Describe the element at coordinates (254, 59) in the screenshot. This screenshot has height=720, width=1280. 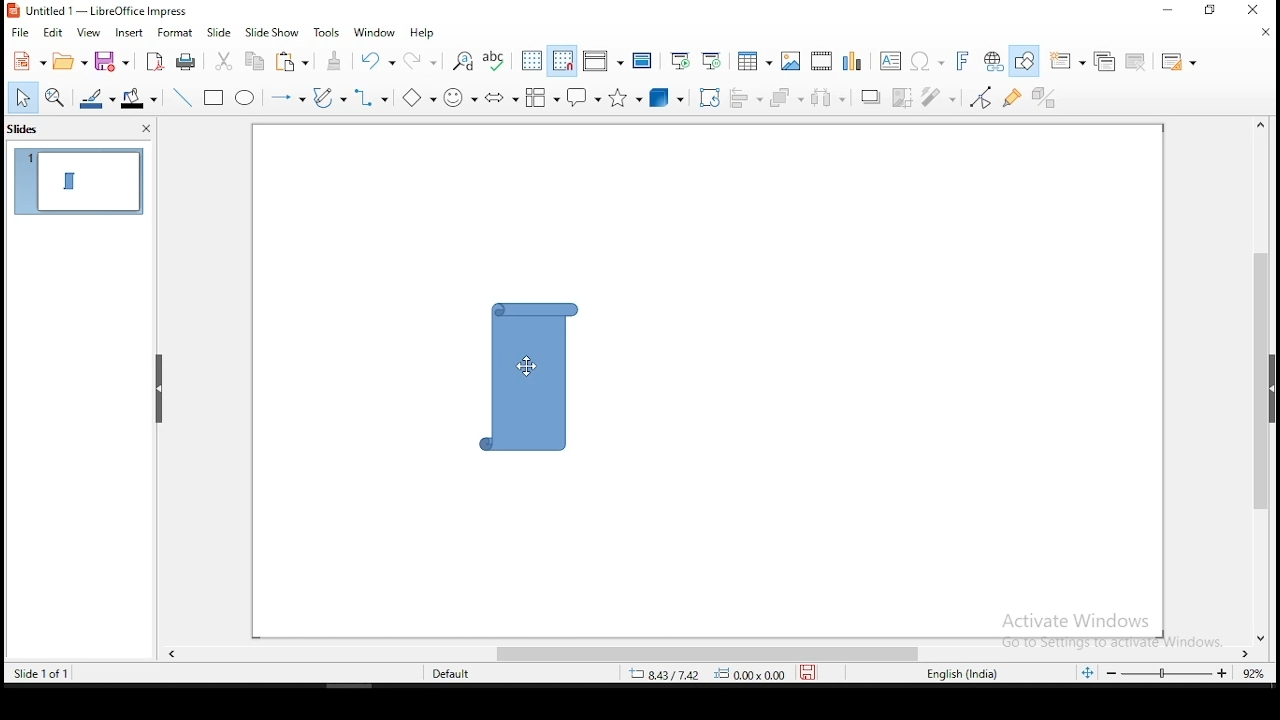
I see `copy` at that location.